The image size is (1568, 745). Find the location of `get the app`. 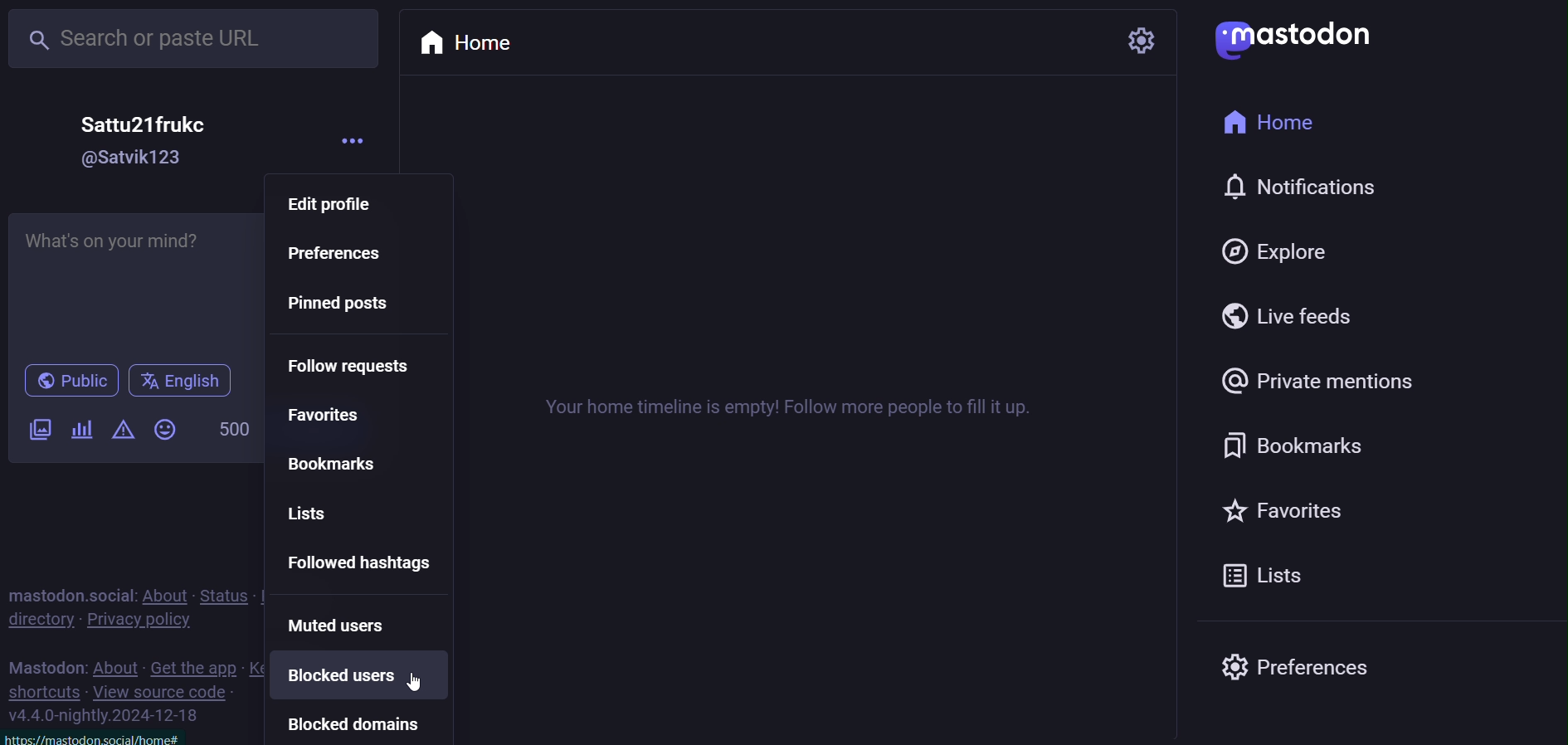

get the app is located at coordinates (195, 665).